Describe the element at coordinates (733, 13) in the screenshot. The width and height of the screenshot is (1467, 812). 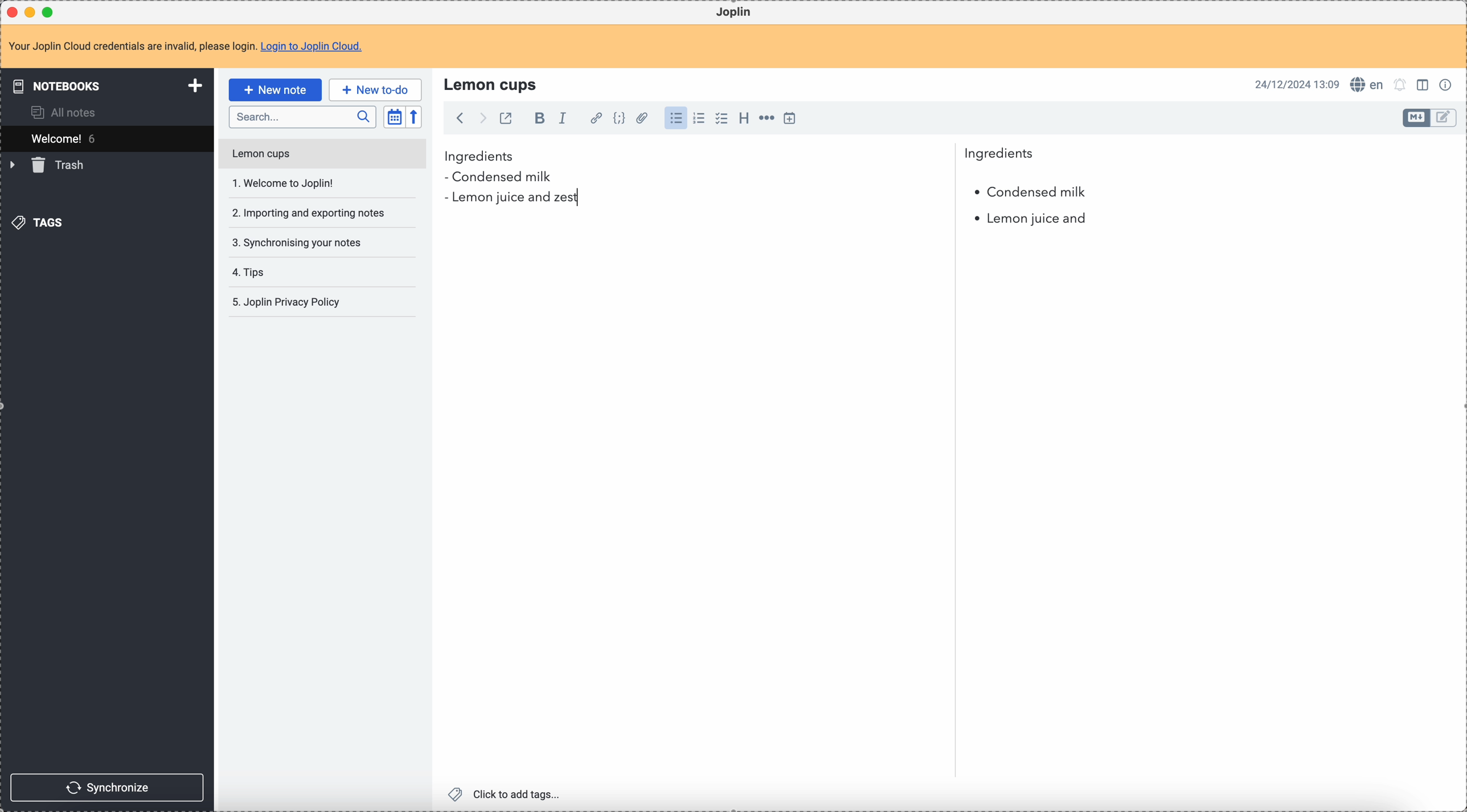
I see `Joplin` at that location.